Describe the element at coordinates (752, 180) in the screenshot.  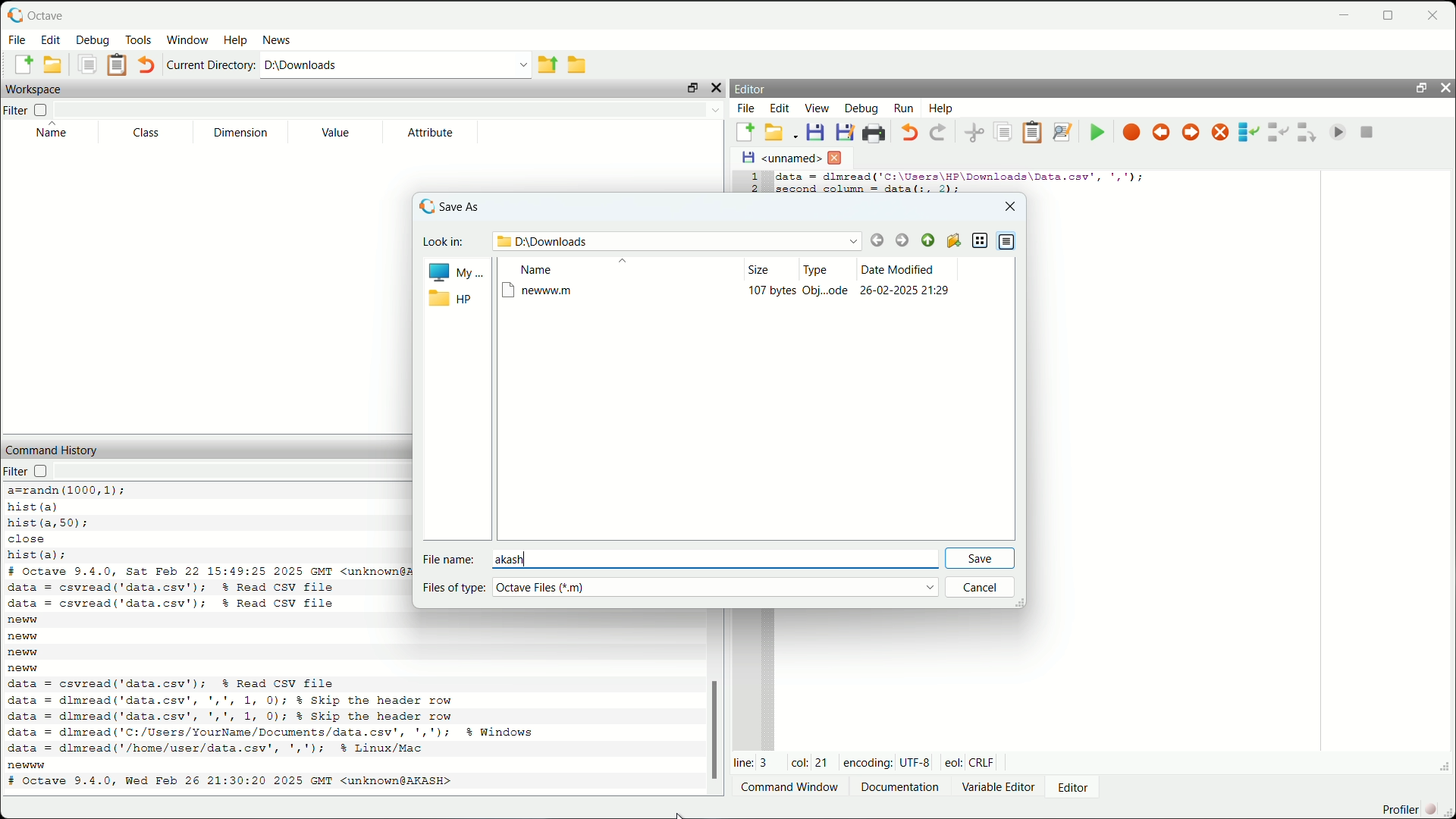
I see `serial numbers` at that location.